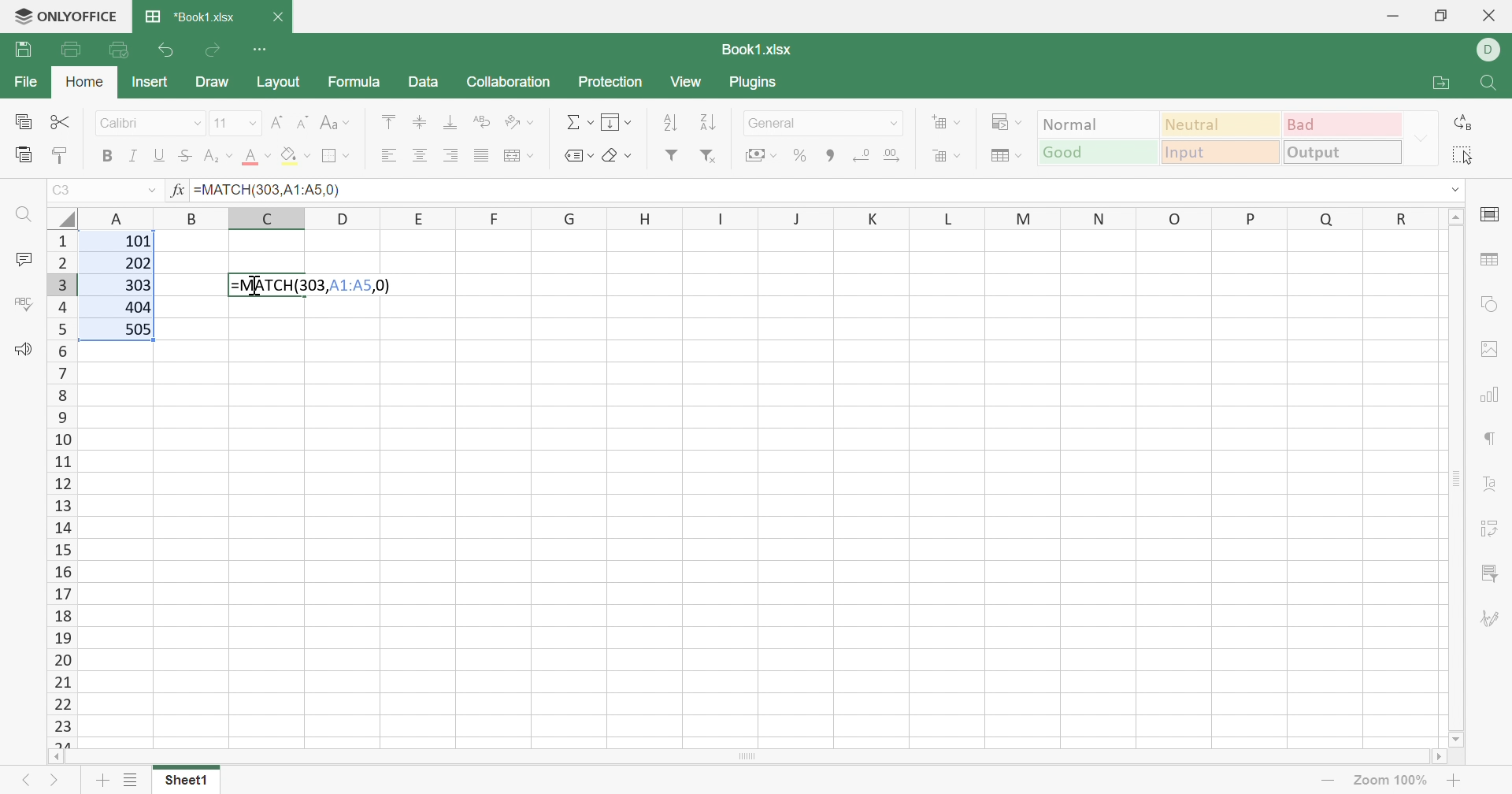 This screenshot has width=1512, height=794. What do you see at coordinates (220, 123) in the screenshot?
I see `11` at bounding box center [220, 123].